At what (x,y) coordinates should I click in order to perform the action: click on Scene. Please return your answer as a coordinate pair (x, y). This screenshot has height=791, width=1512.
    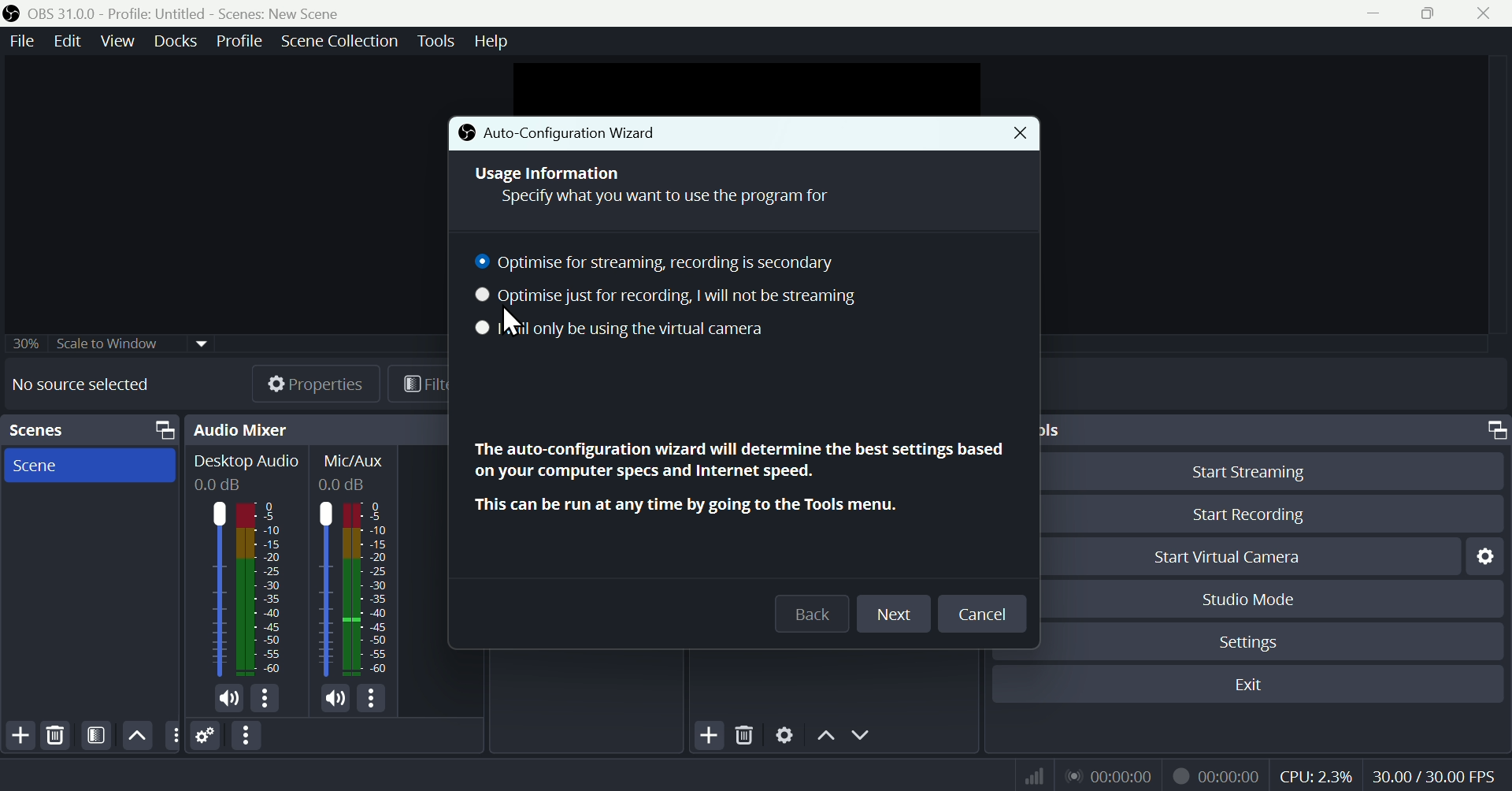
    Looking at the image, I should click on (89, 465).